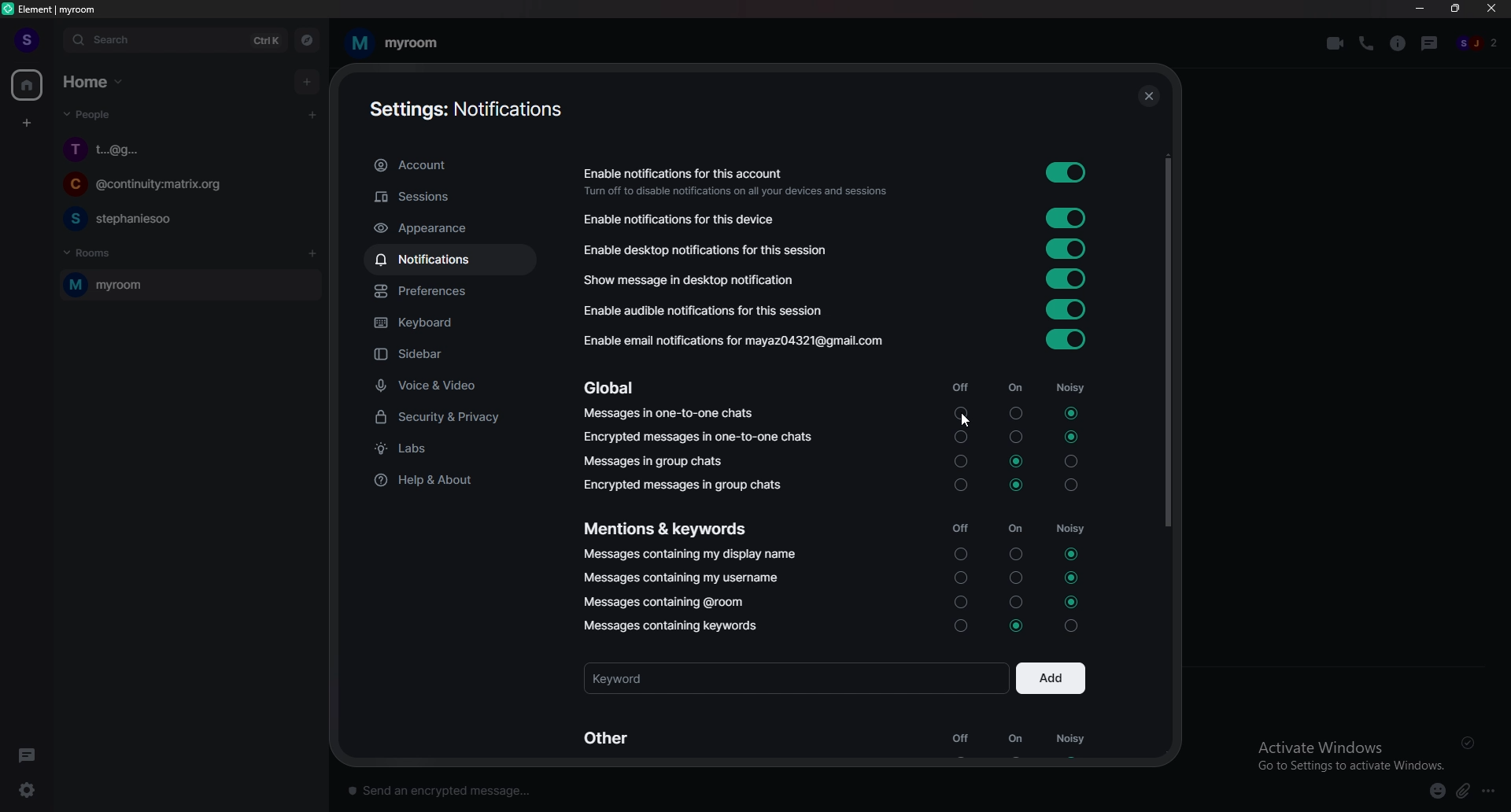 Image resolution: width=1511 pixels, height=812 pixels. I want to click on notifications, so click(448, 258).